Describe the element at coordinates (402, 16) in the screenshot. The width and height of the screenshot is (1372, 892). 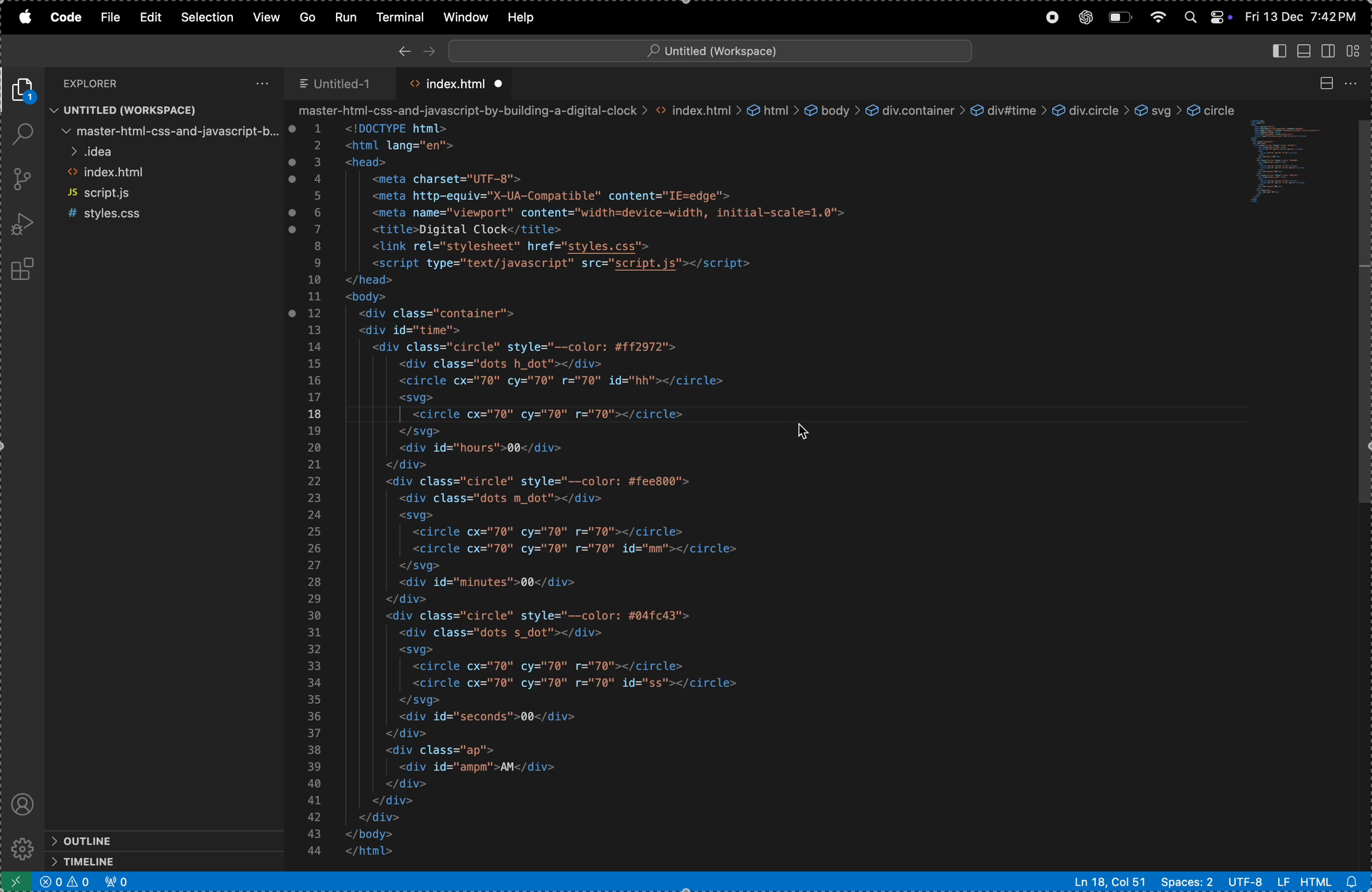
I see `terminal` at that location.